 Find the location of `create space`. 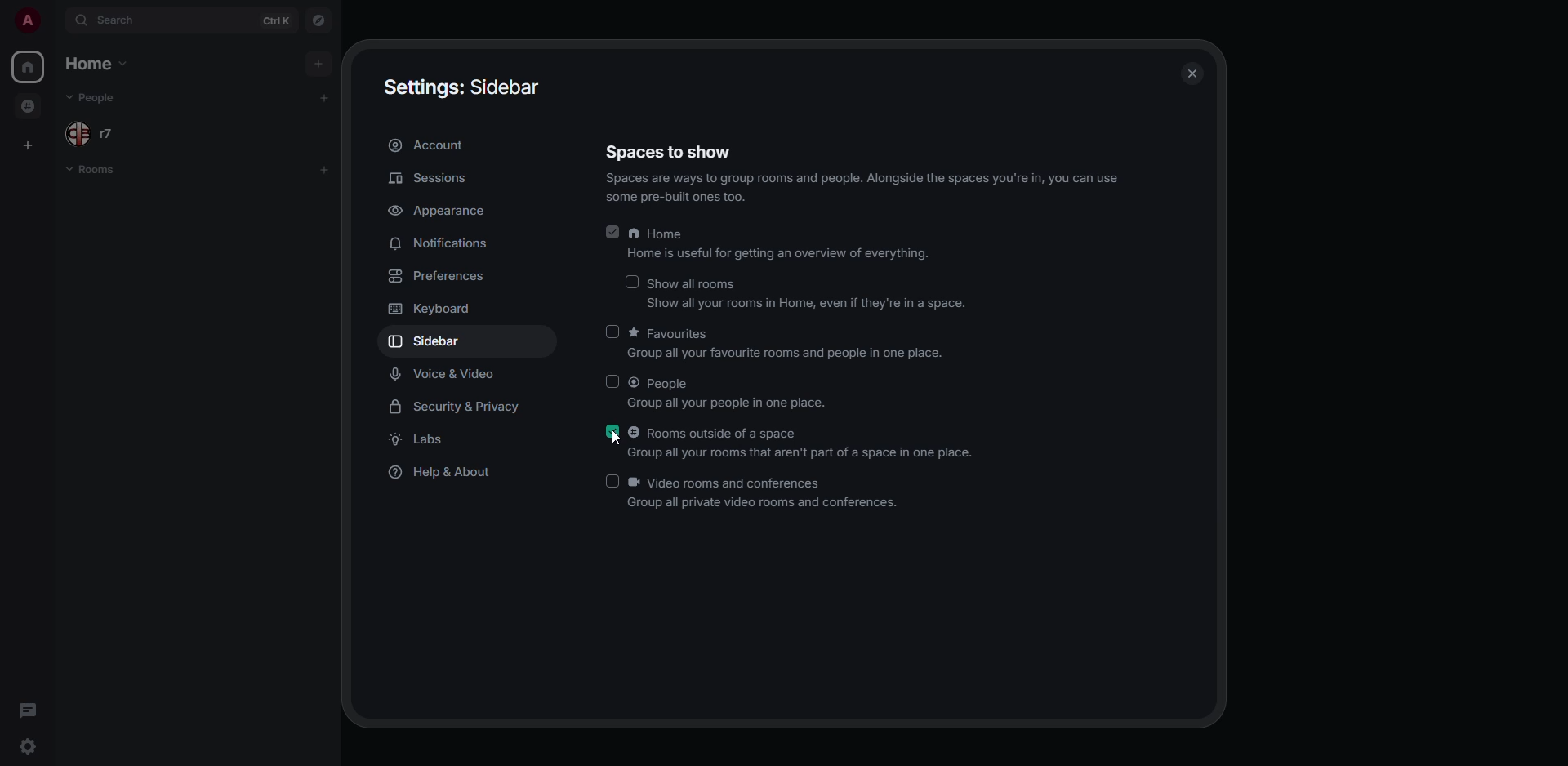

create space is located at coordinates (23, 144).